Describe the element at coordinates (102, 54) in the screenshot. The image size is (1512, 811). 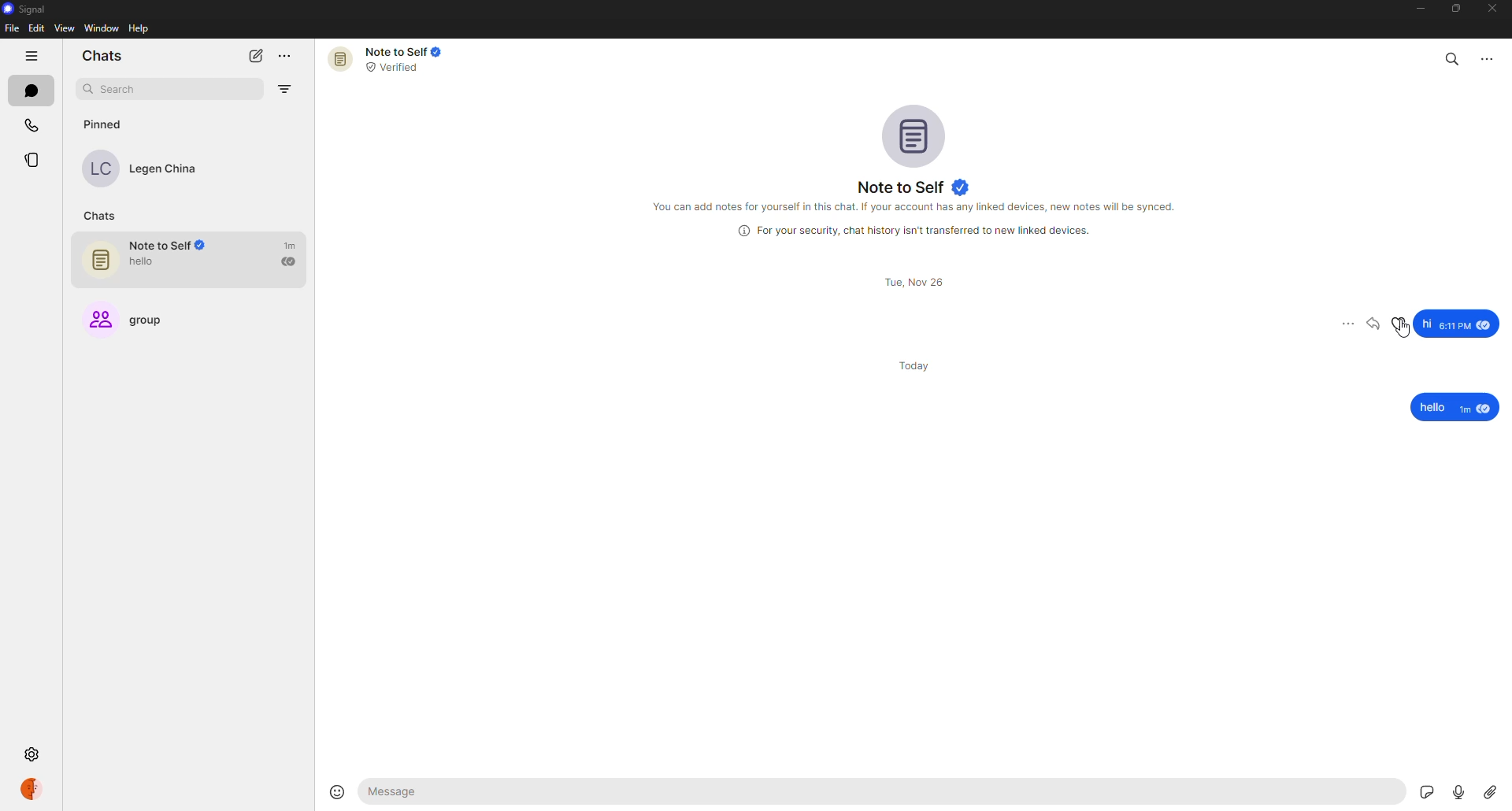
I see `chats` at that location.